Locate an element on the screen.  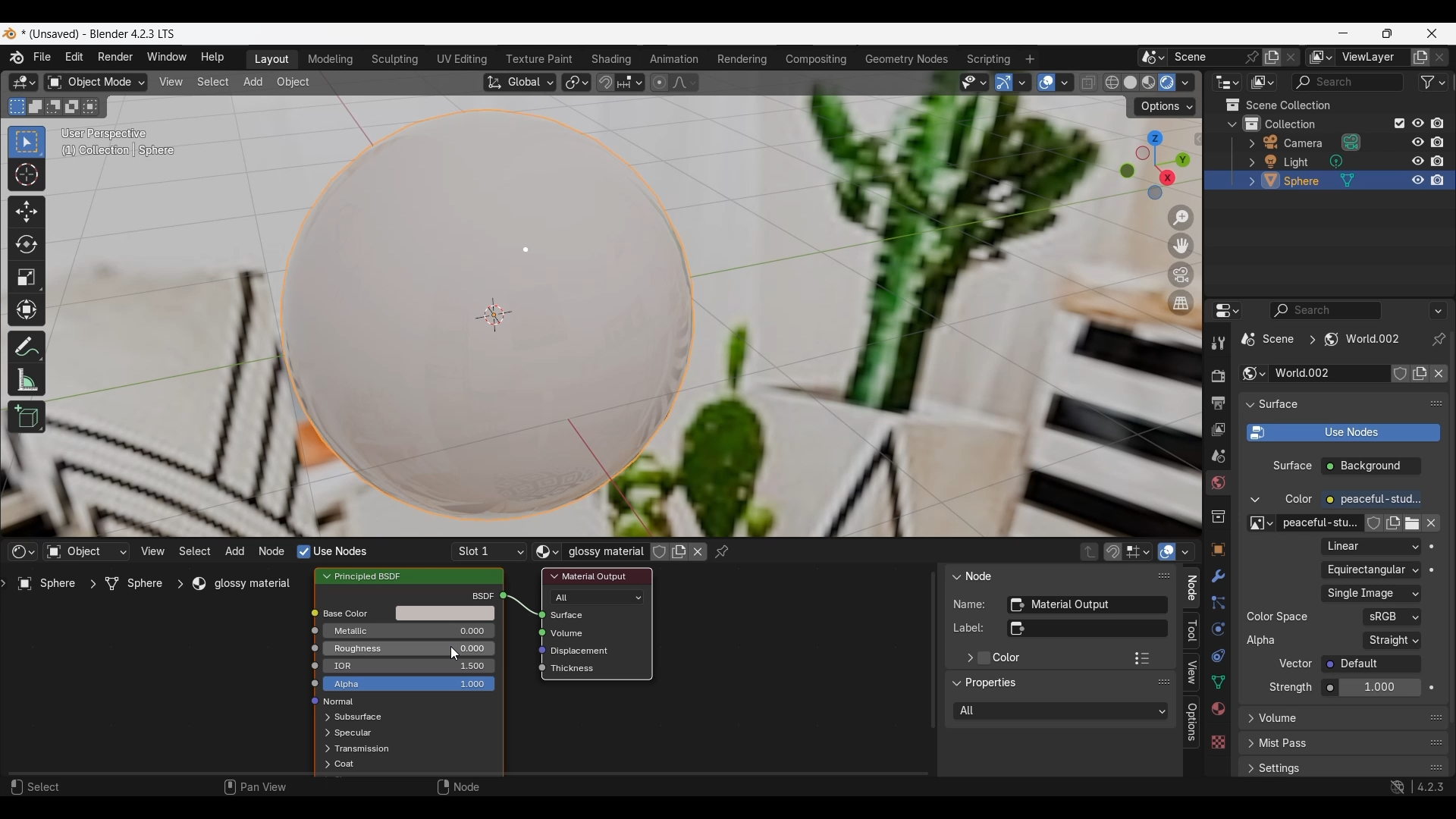
respectively hide in viewport is located at coordinates (1416, 180).